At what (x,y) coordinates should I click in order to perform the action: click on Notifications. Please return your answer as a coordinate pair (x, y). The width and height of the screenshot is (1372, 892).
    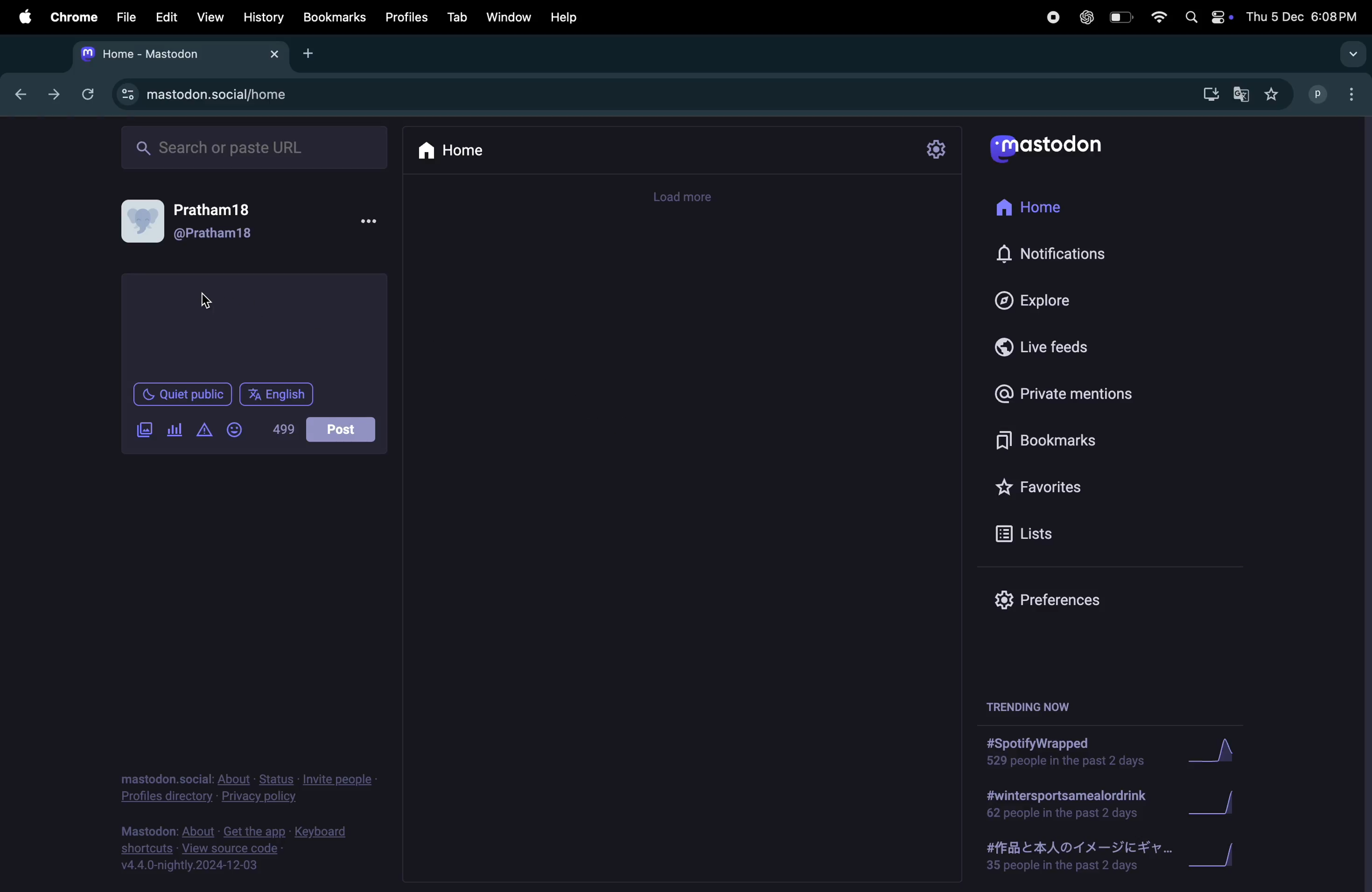
    Looking at the image, I should click on (1055, 252).